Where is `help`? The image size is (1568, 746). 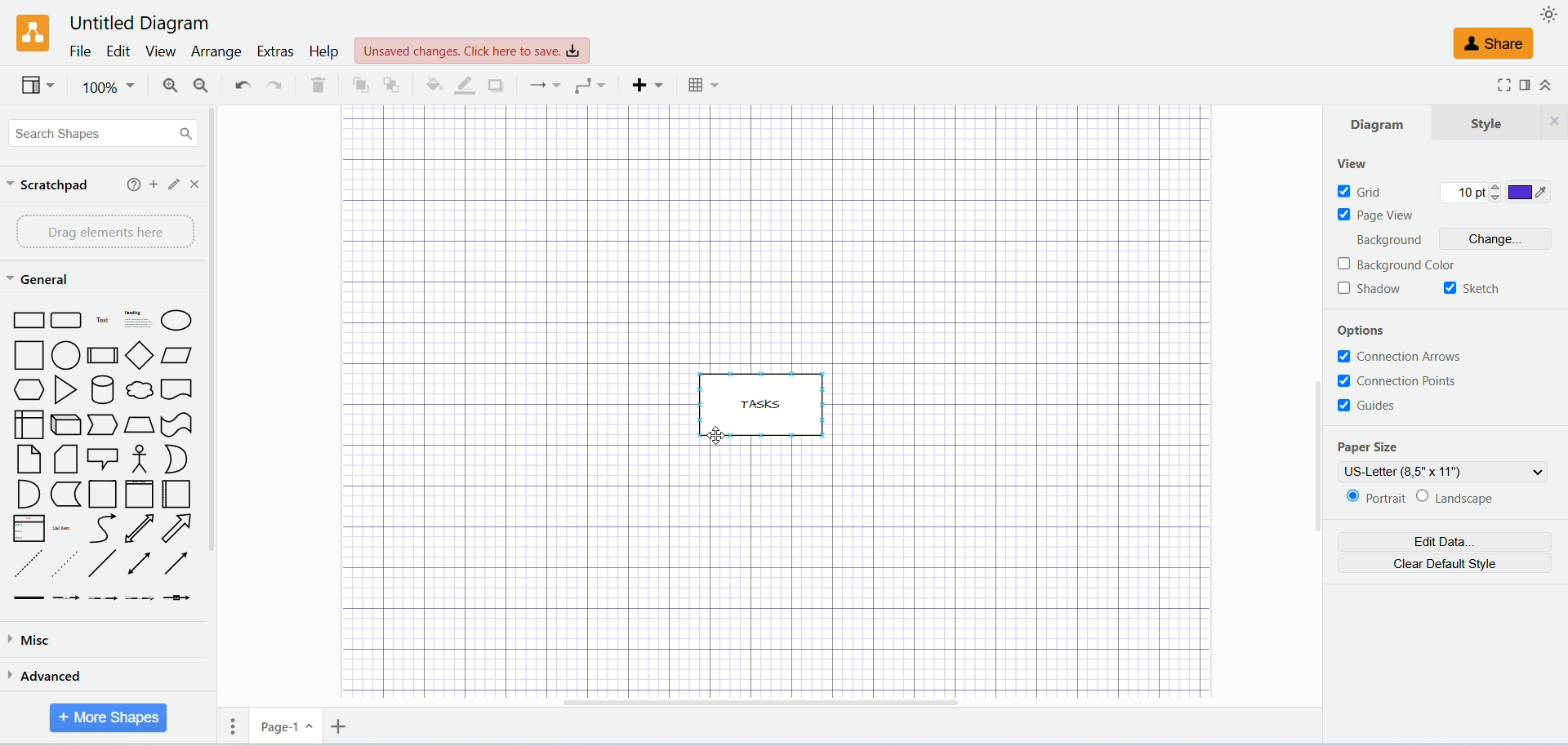
help is located at coordinates (322, 53).